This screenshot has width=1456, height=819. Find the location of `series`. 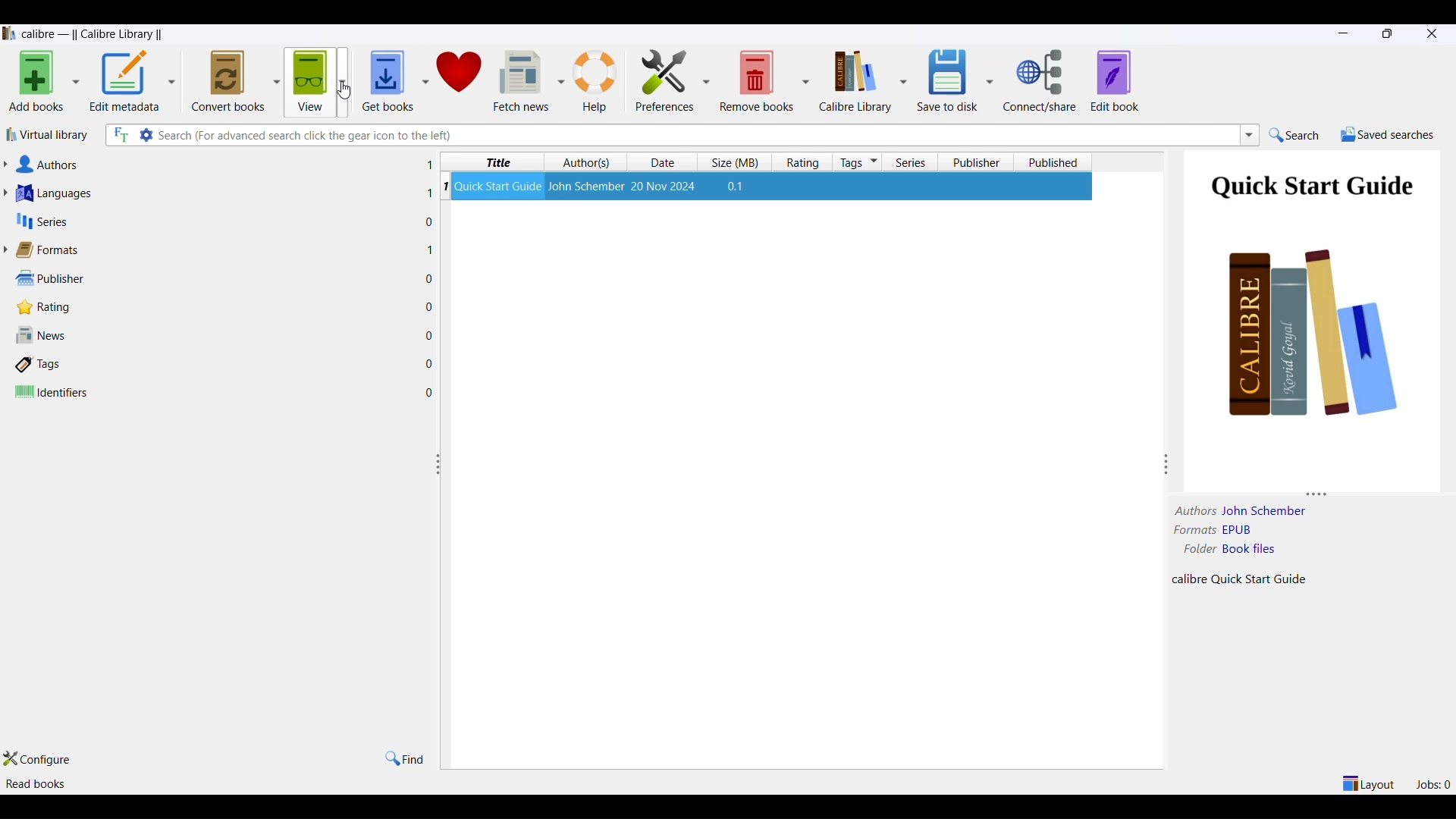

series is located at coordinates (916, 162).